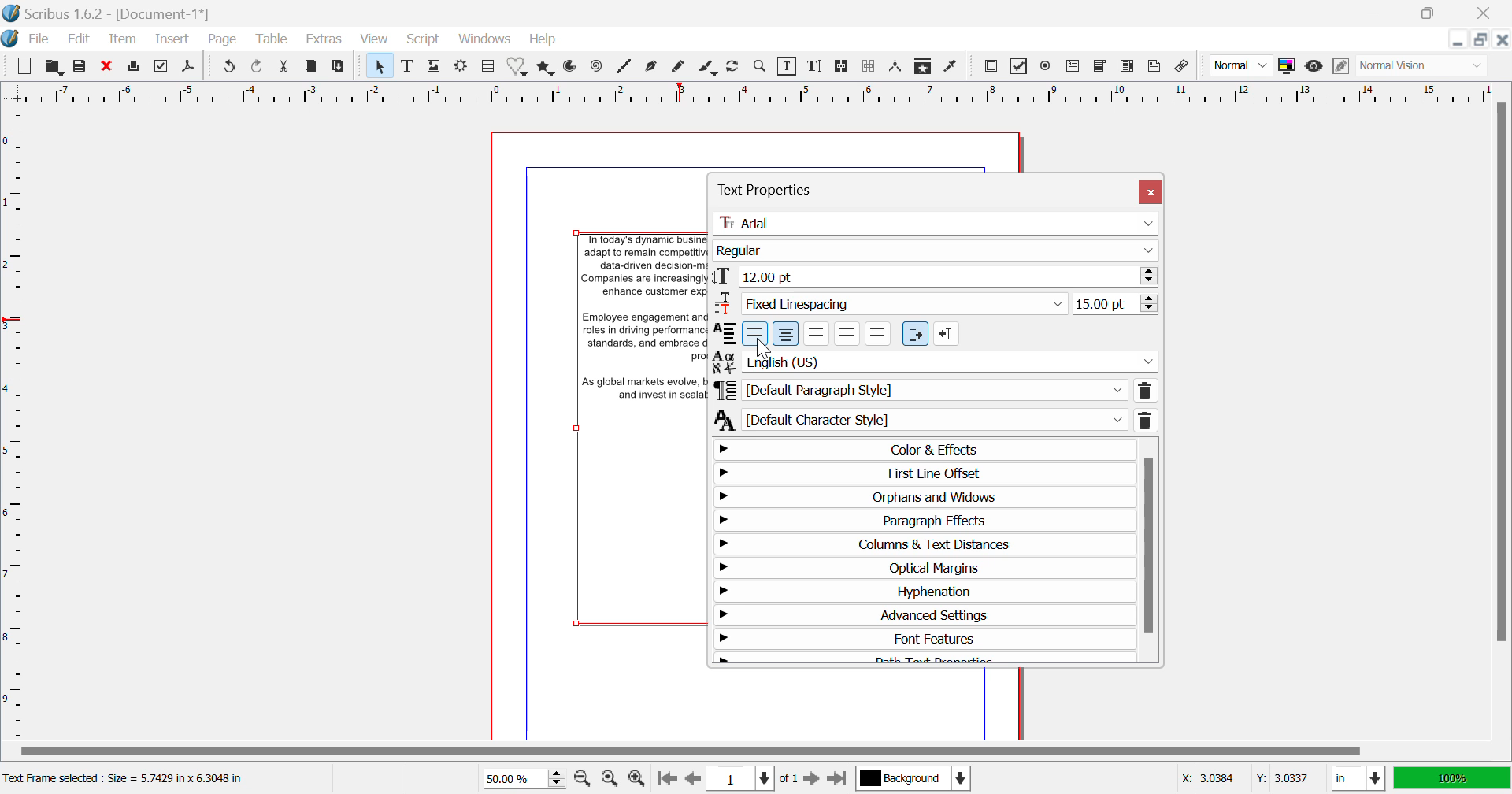 Image resolution: width=1512 pixels, height=794 pixels. What do you see at coordinates (889, 306) in the screenshot?
I see `Linespacing Type` at bounding box center [889, 306].